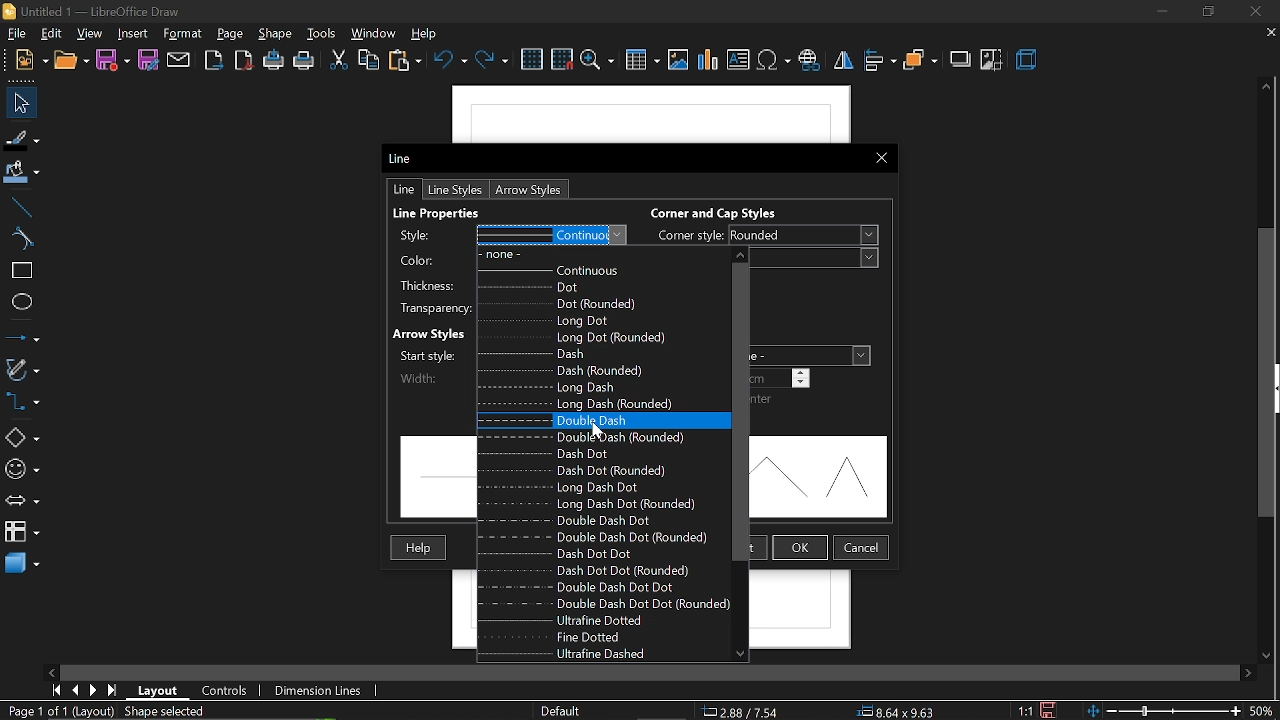 Image resolution: width=1280 pixels, height=720 pixels. What do you see at coordinates (306, 60) in the screenshot?
I see `print` at bounding box center [306, 60].